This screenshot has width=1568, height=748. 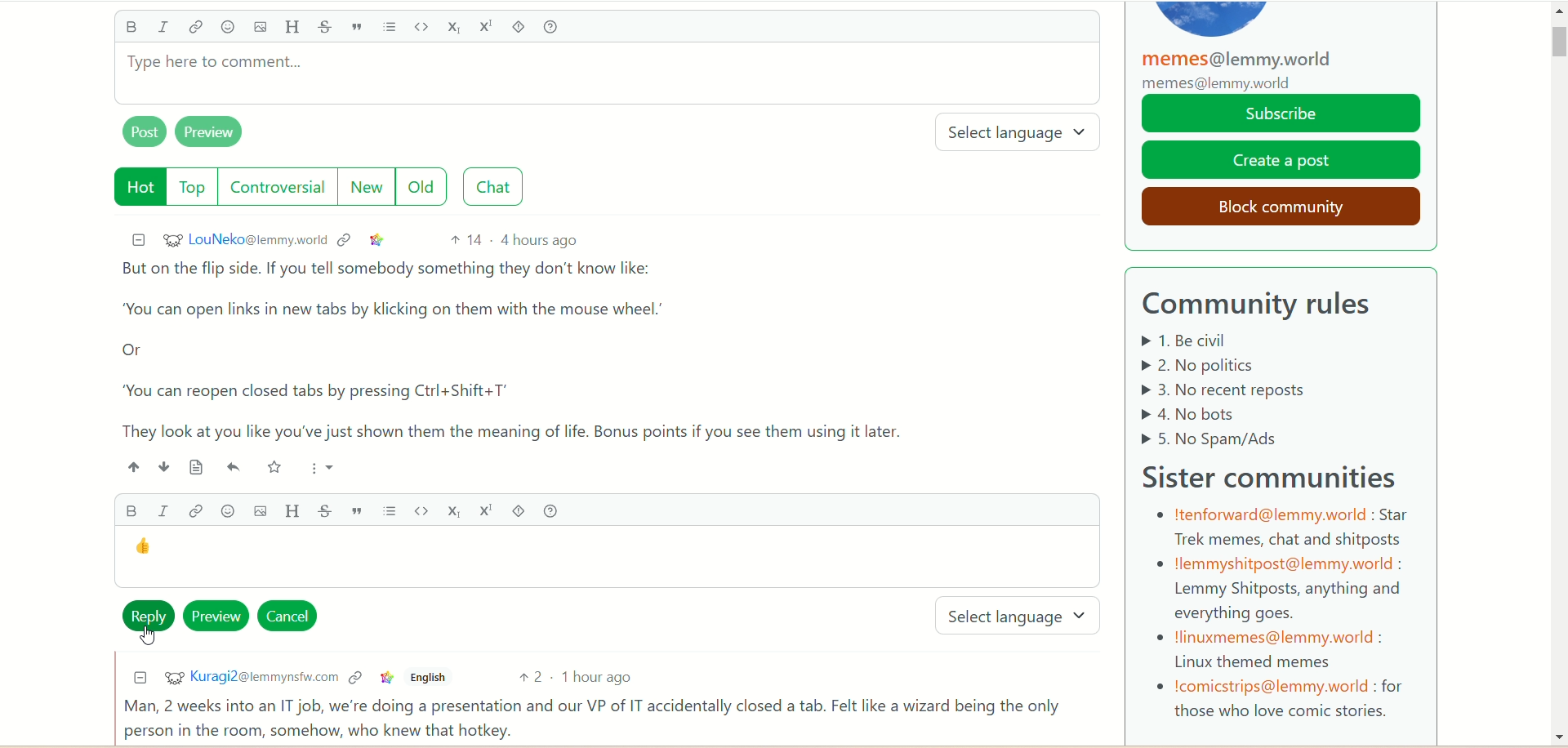 What do you see at coordinates (194, 512) in the screenshot?
I see `link` at bounding box center [194, 512].